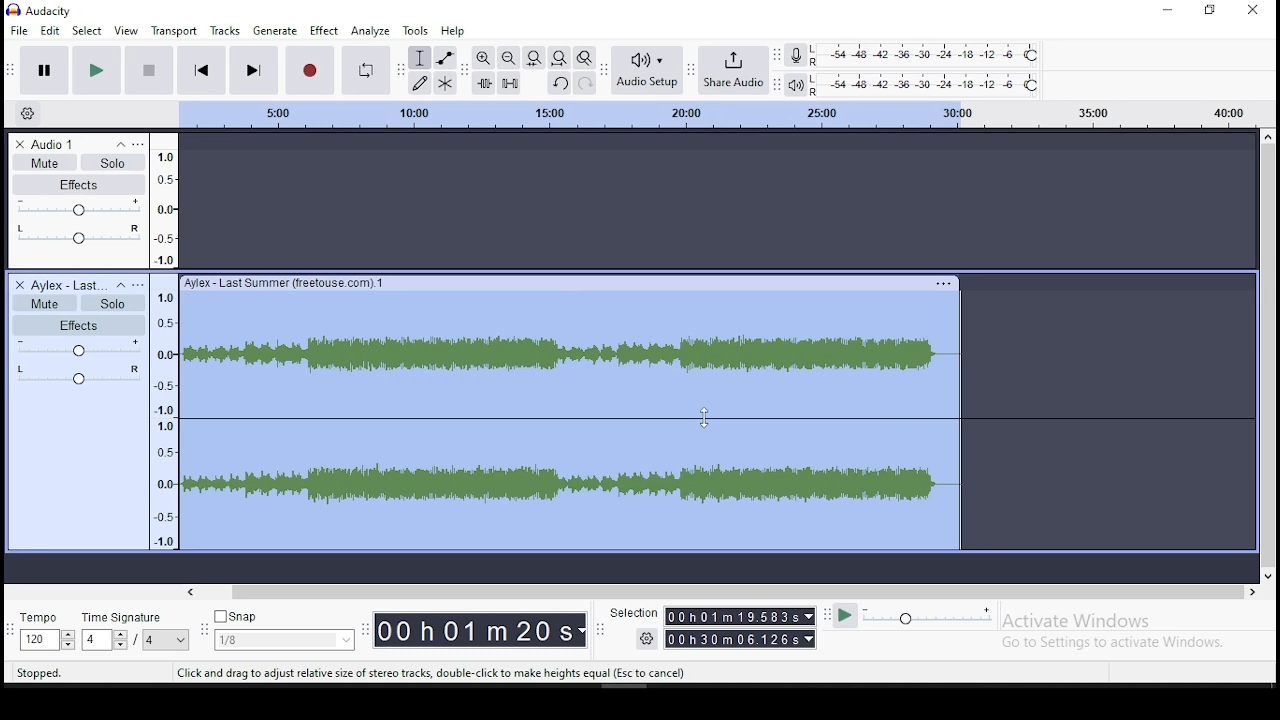 This screenshot has height=720, width=1280. I want to click on analyze, so click(370, 31).